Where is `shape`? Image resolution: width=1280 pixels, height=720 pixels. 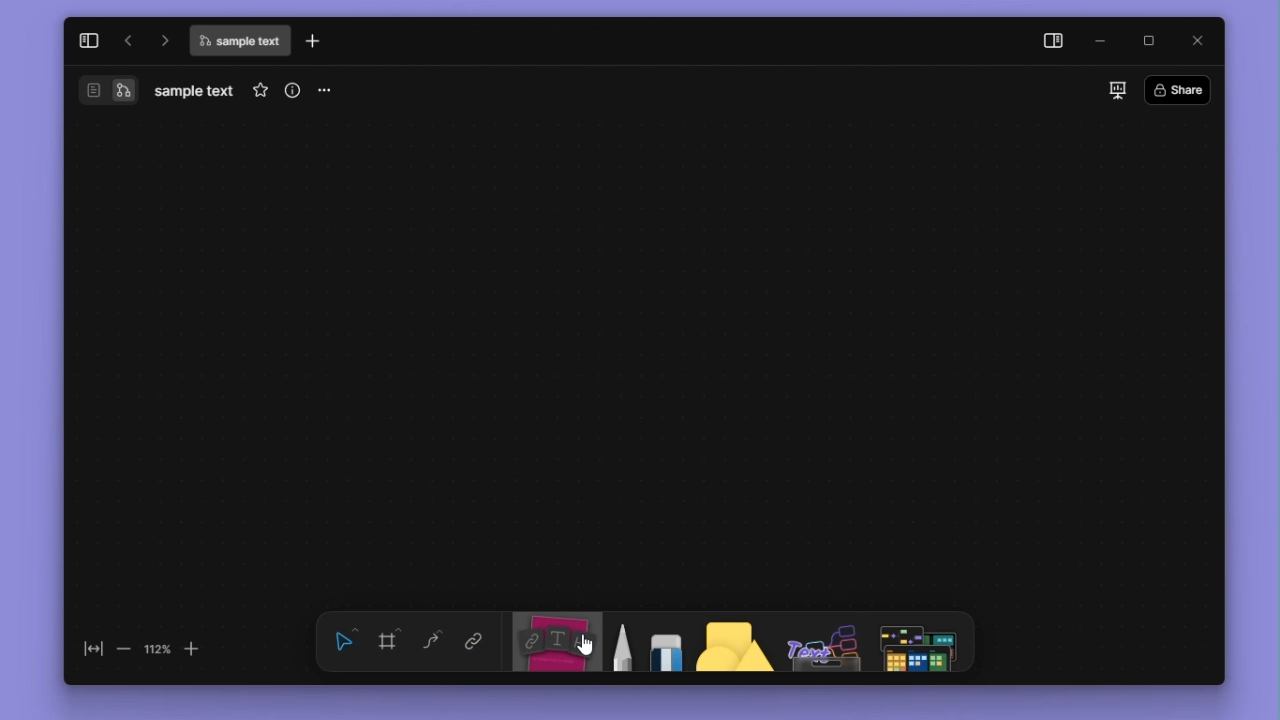
shape is located at coordinates (734, 642).